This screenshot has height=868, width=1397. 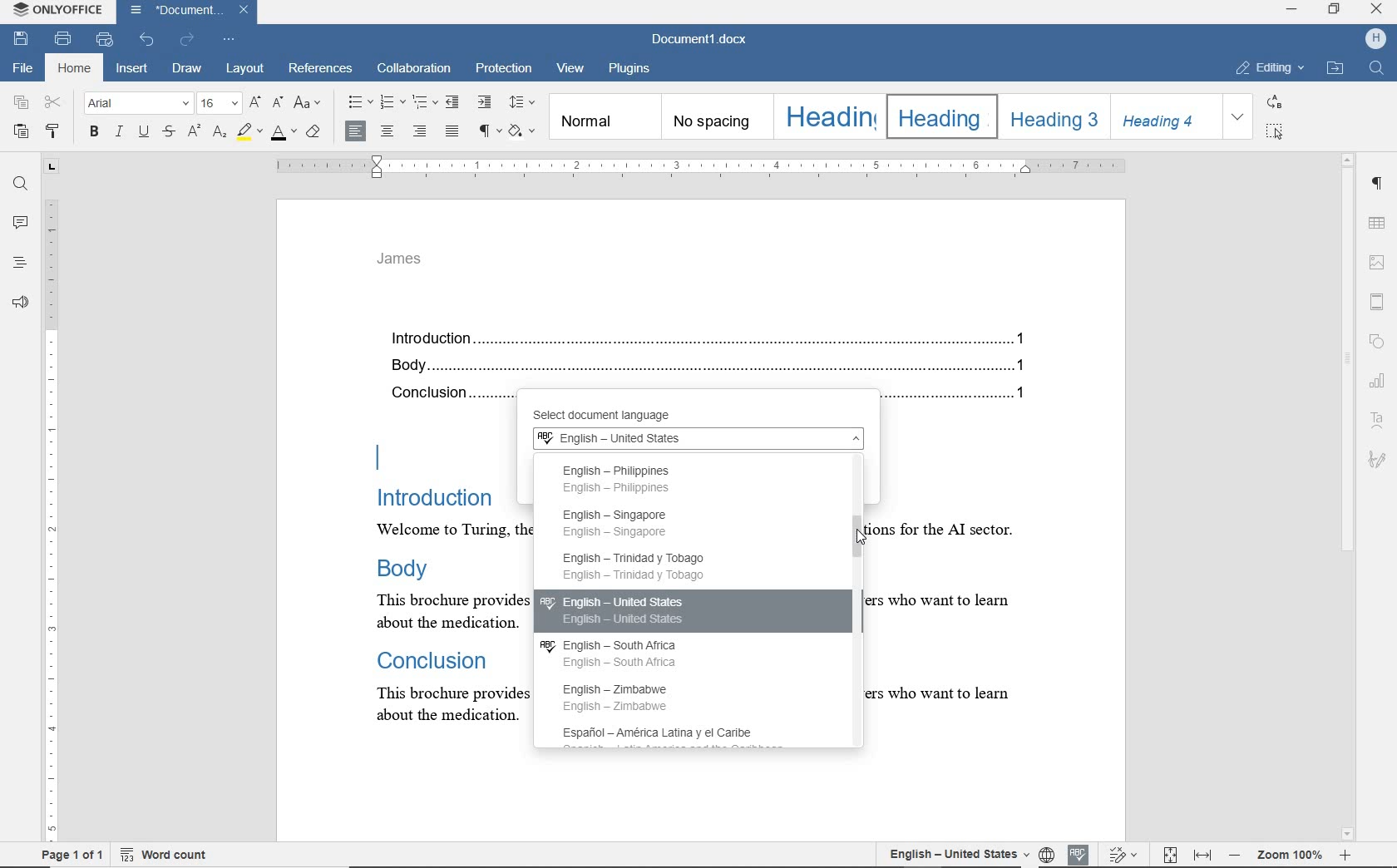 What do you see at coordinates (610, 701) in the screenshot?
I see `English - Zimbabwe` at bounding box center [610, 701].